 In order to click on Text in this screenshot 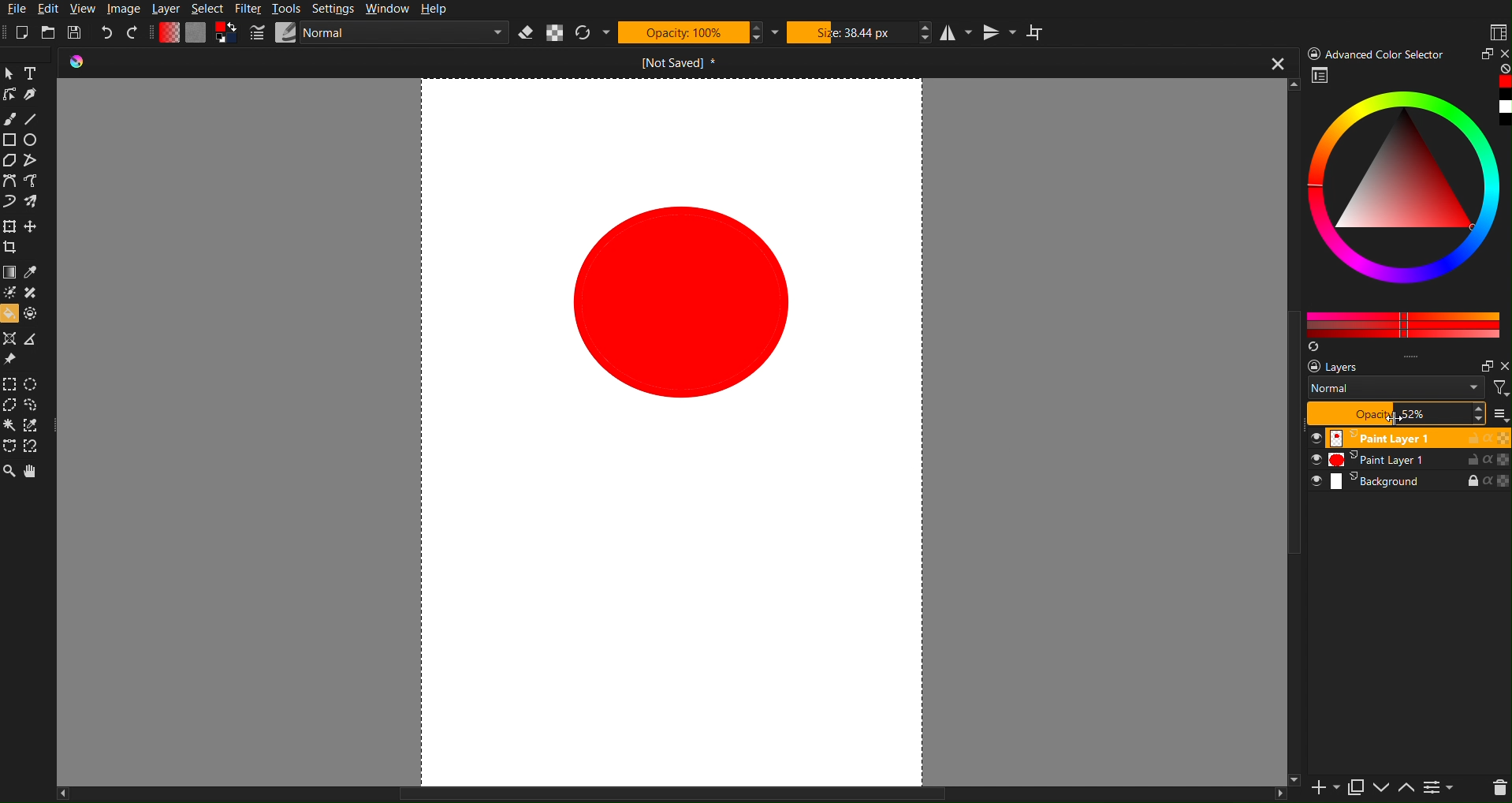, I will do `click(36, 73)`.